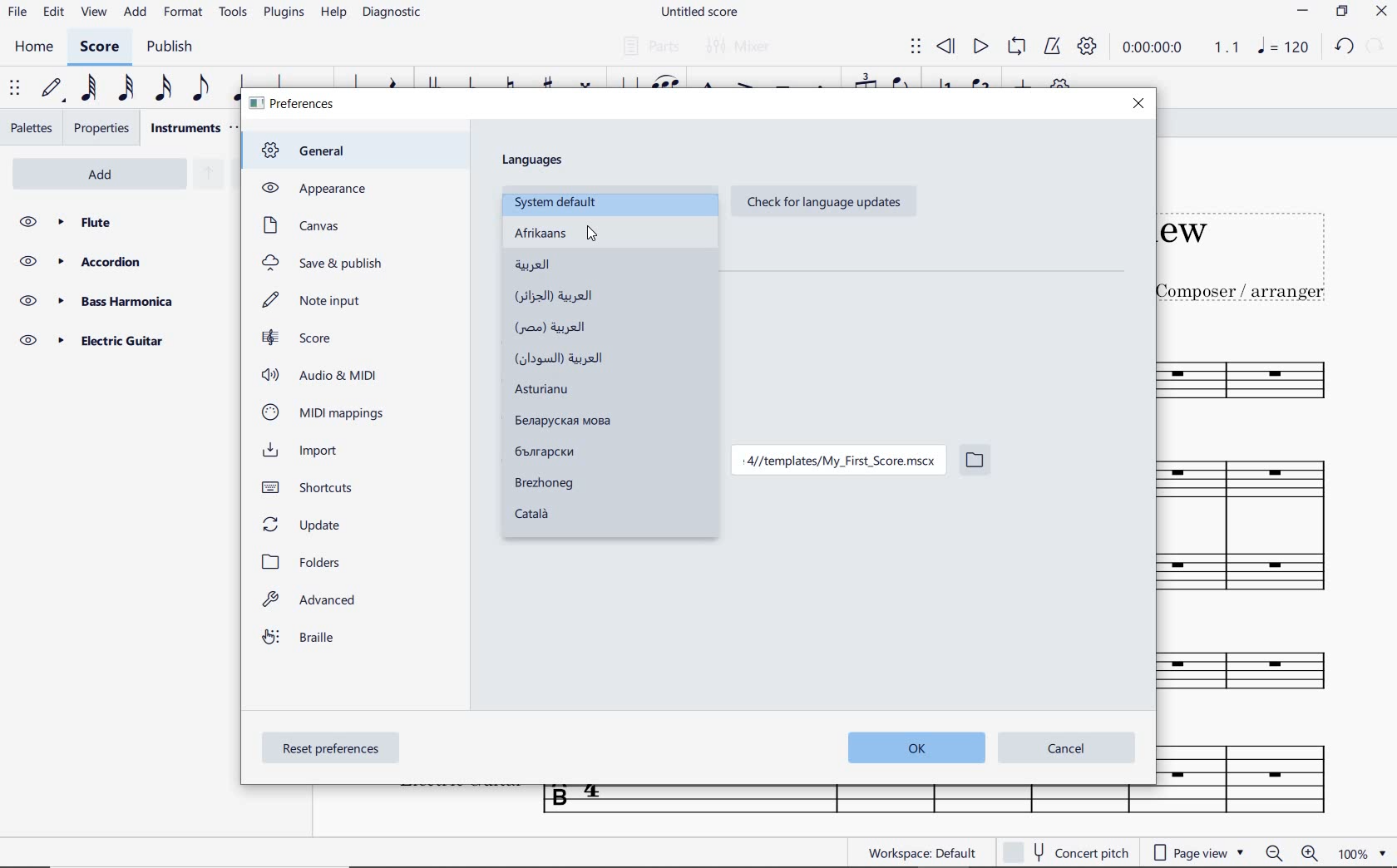 This screenshot has width=1397, height=868. Describe the element at coordinates (313, 152) in the screenshot. I see `general` at that location.